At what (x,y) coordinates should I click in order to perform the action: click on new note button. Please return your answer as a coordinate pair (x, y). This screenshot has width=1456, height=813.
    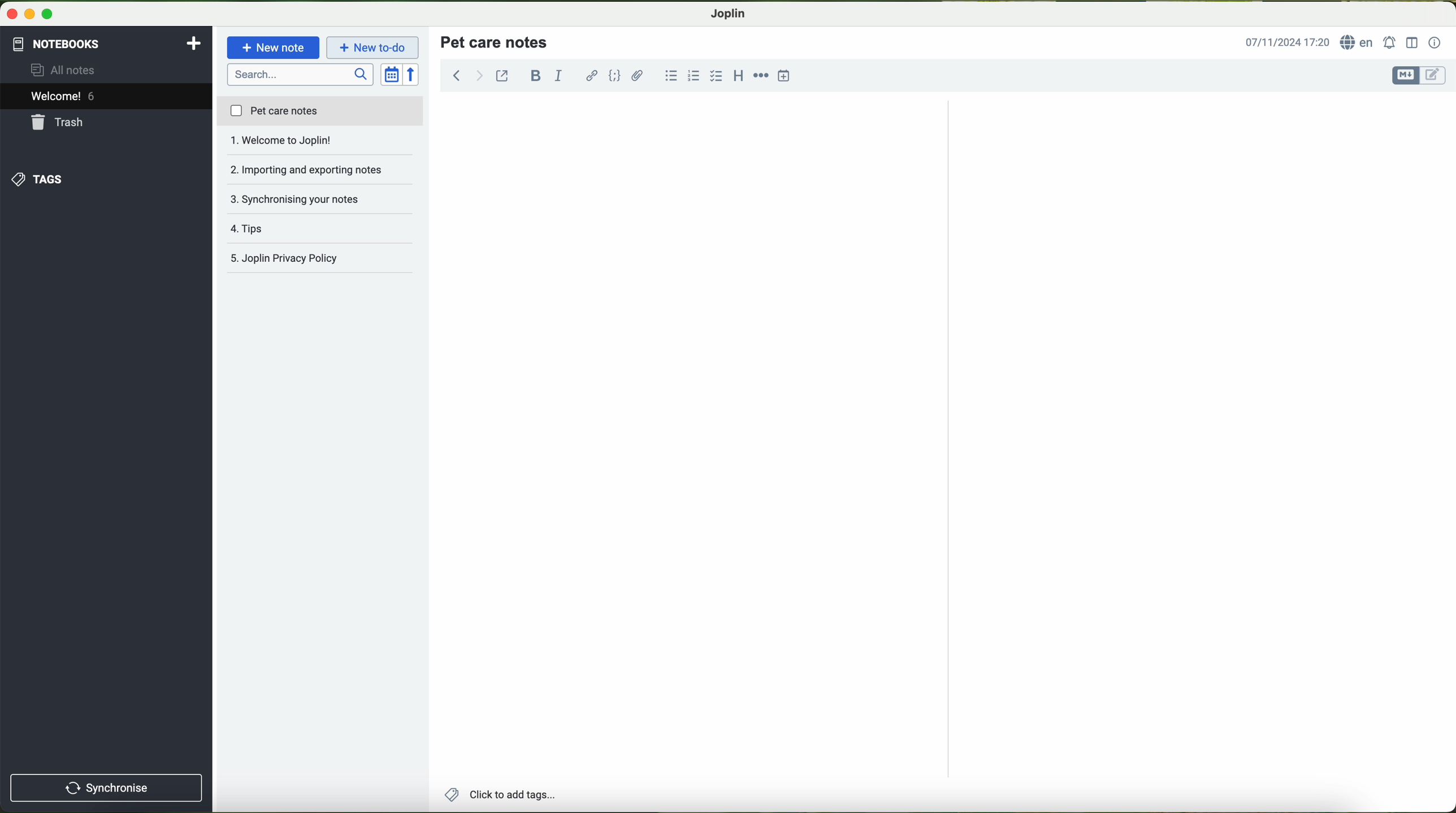
    Looking at the image, I should click on (274, 47).